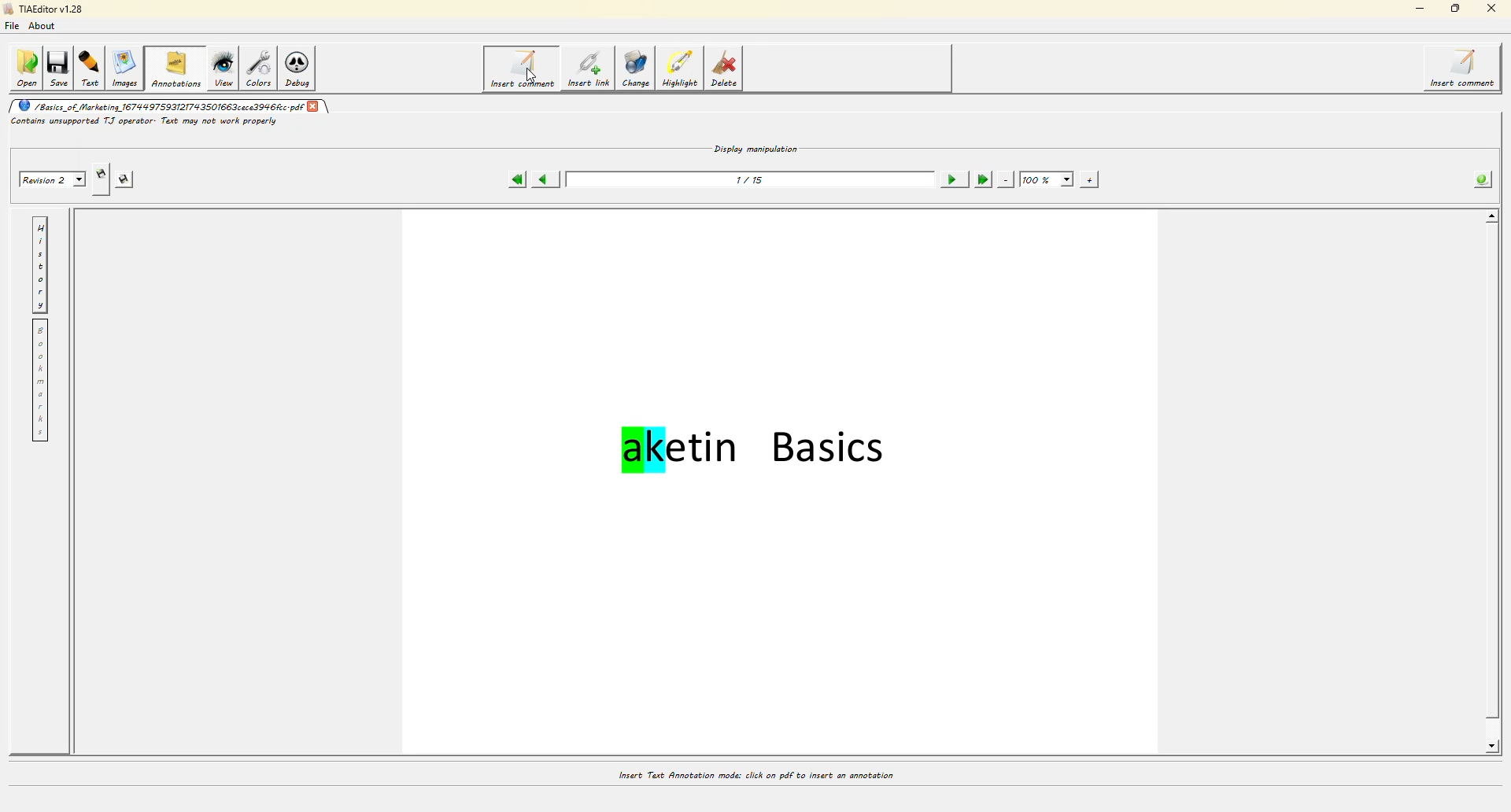  What do you see at coordinates (1487, 747) in the screenshot?
I see `scroll down` at bounding box center [1487, 747].